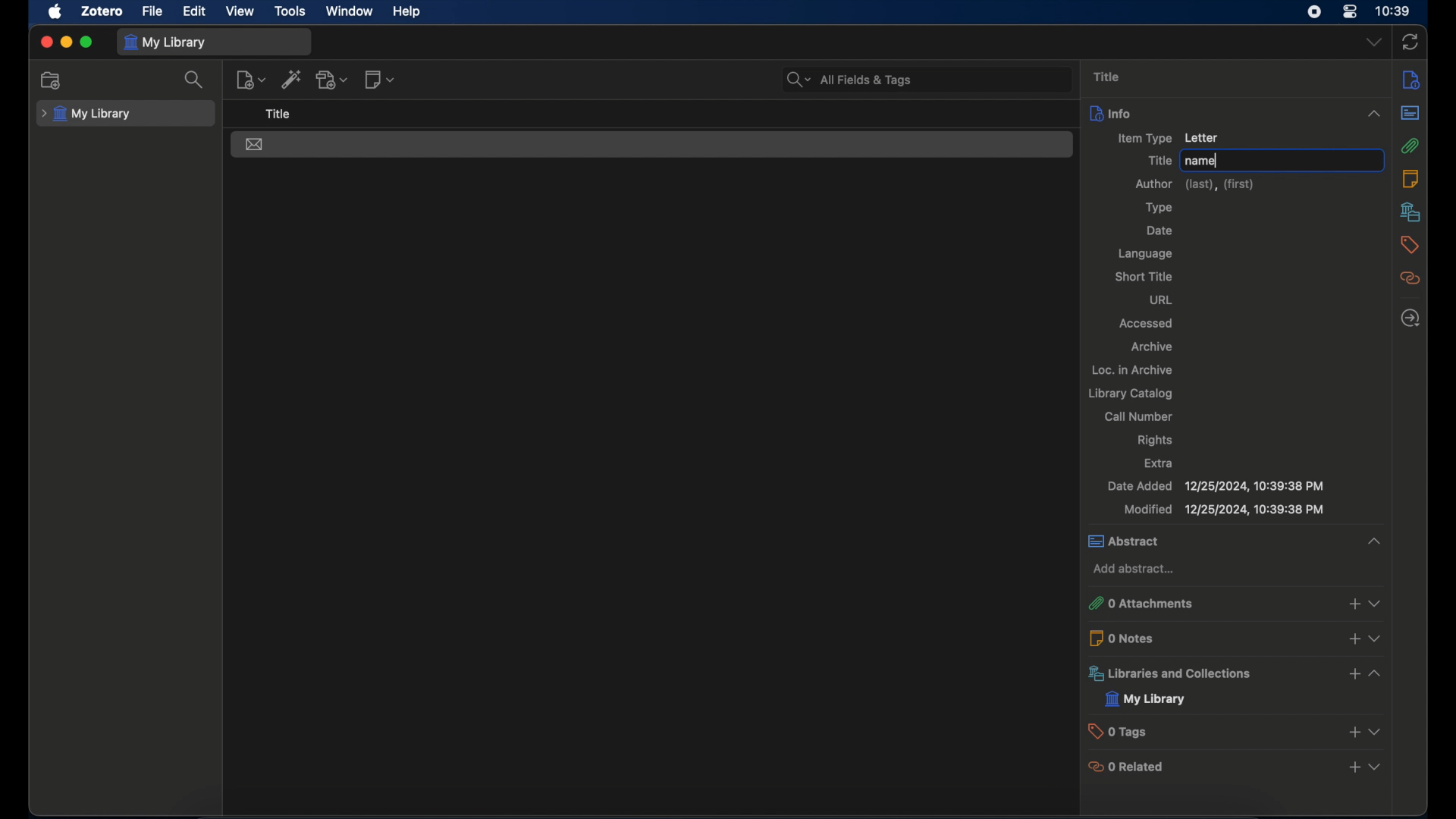  Describe the element at coordinates (67, 43) in the screenshot. I see `minimize` at that location.